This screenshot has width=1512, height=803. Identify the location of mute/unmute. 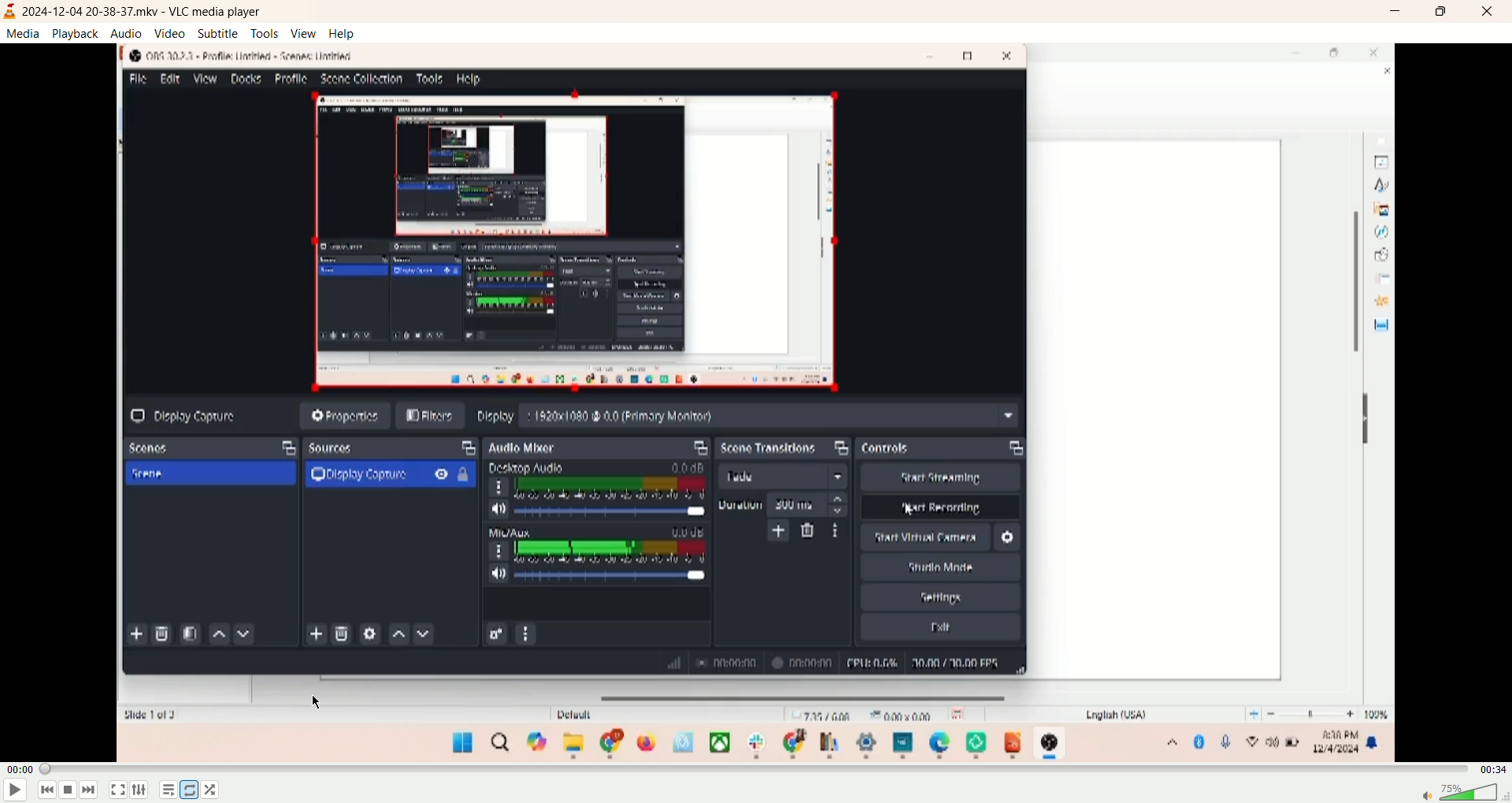
(1427, 794).